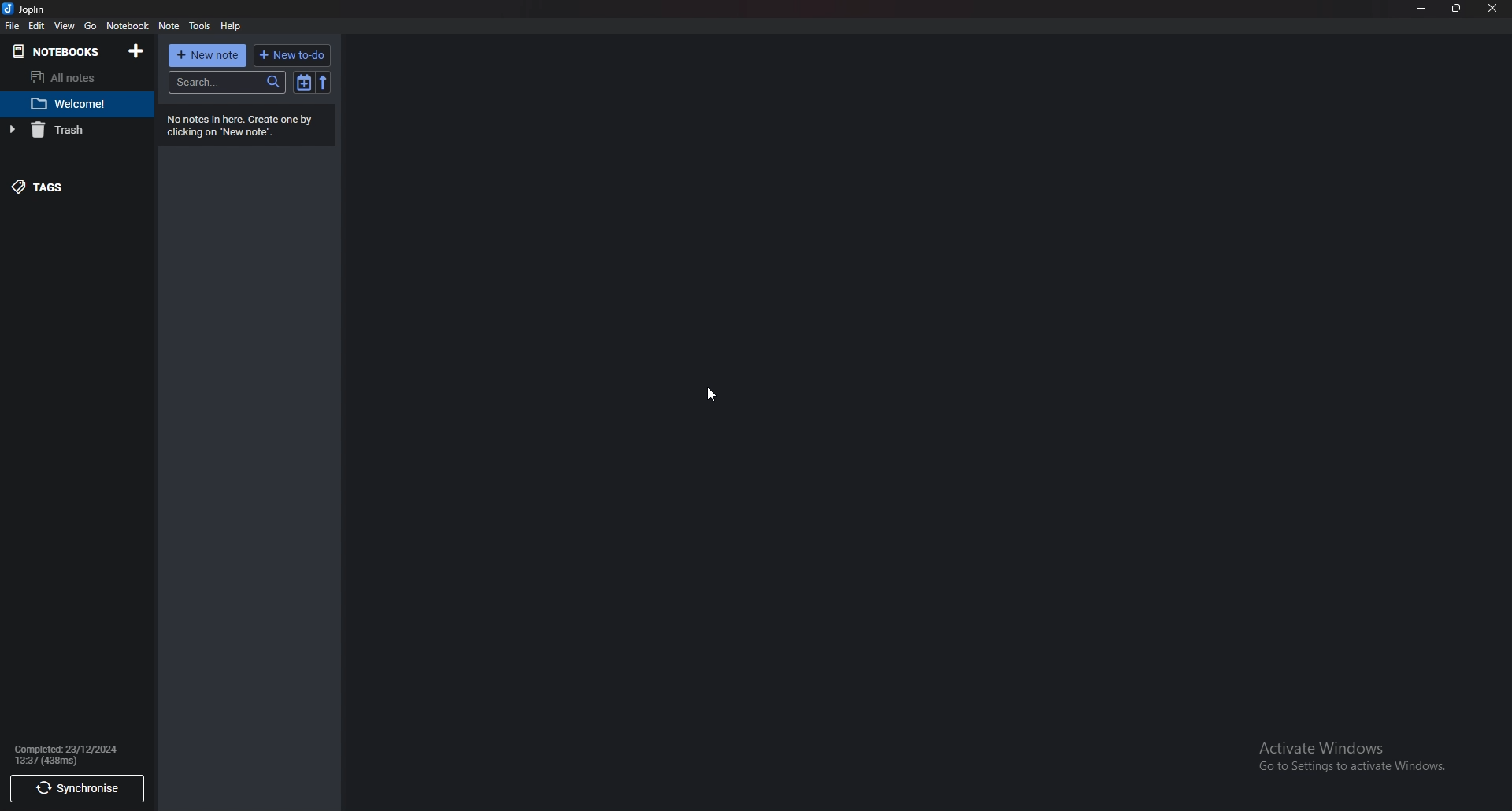 The image size is (1512, 811). Describe the element at coordinates (233, 26) in the screenshot. I see `Help` at that location.